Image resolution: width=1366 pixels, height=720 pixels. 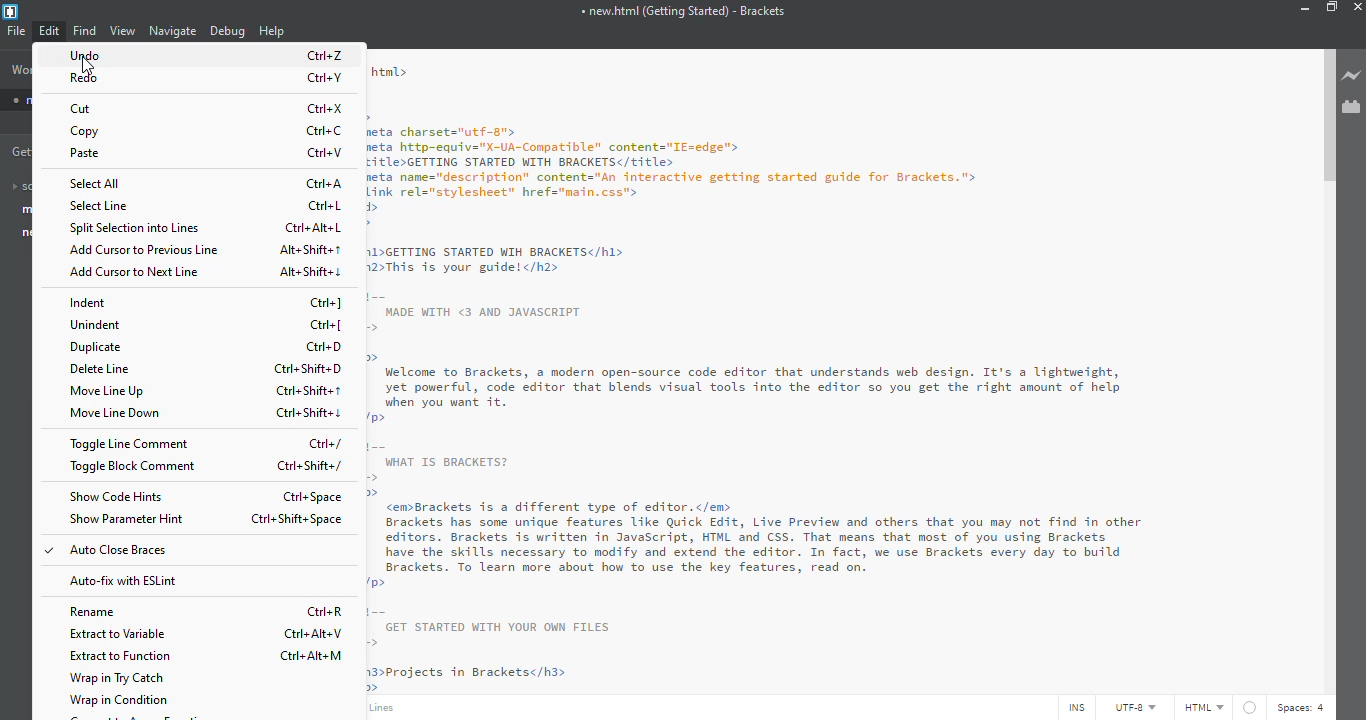 What do you see at coordinates (119, 414) in the screenshot?
I see `move line down` at bounding box center [119, 414].